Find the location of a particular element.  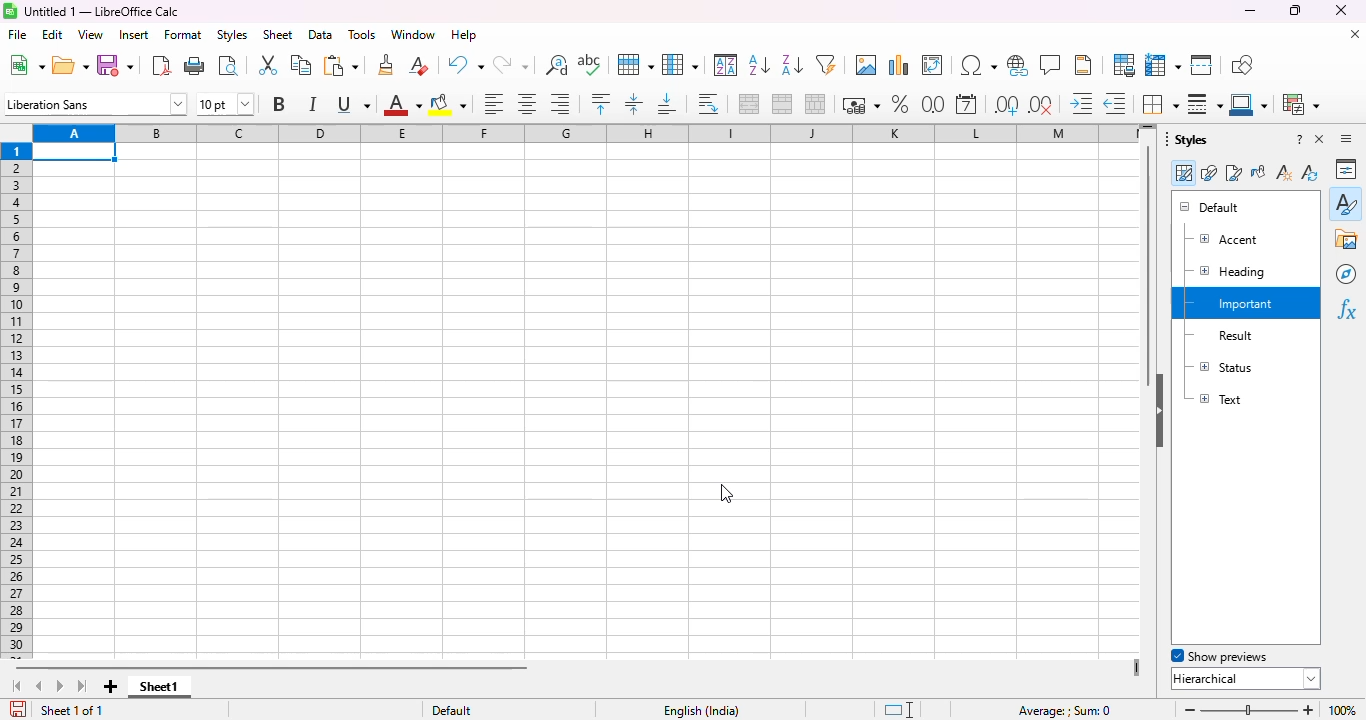

font color is located at coordinates (403, 104).